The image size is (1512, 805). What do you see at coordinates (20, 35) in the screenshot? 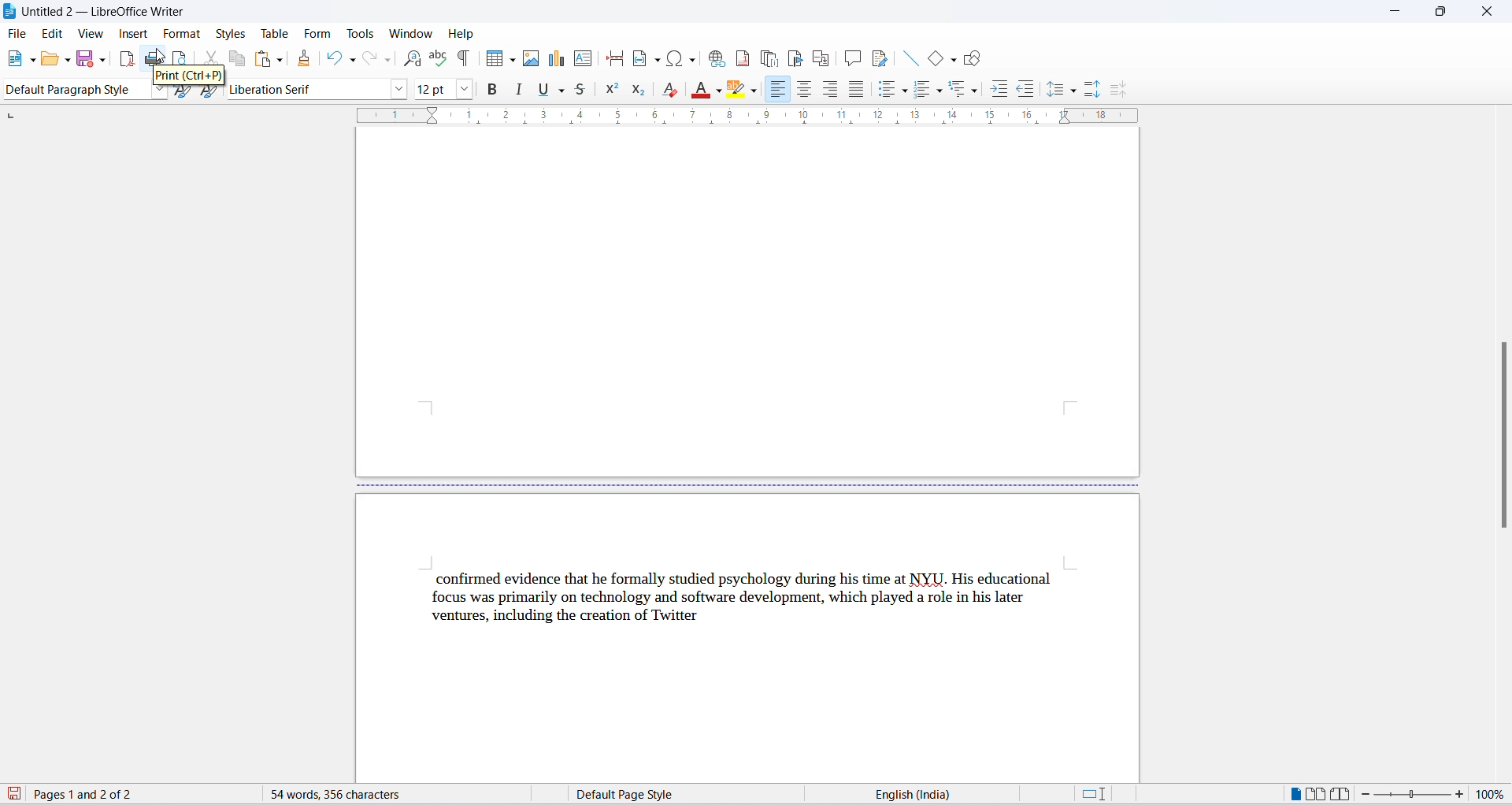
I see `file` at bounding box center [20, 35].